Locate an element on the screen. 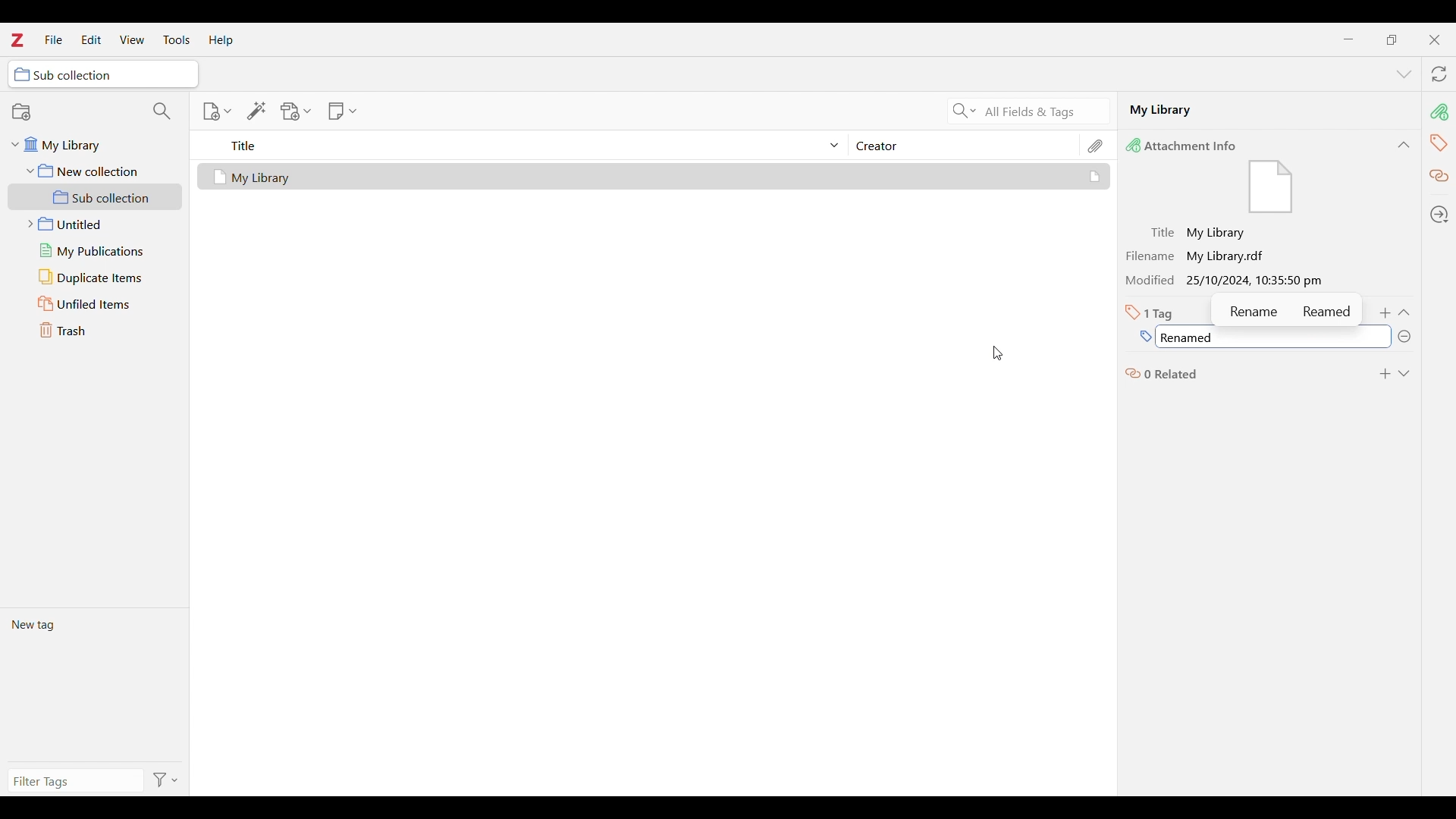  All fields and tags search criteria selected is located at coordinates (1043, 112).